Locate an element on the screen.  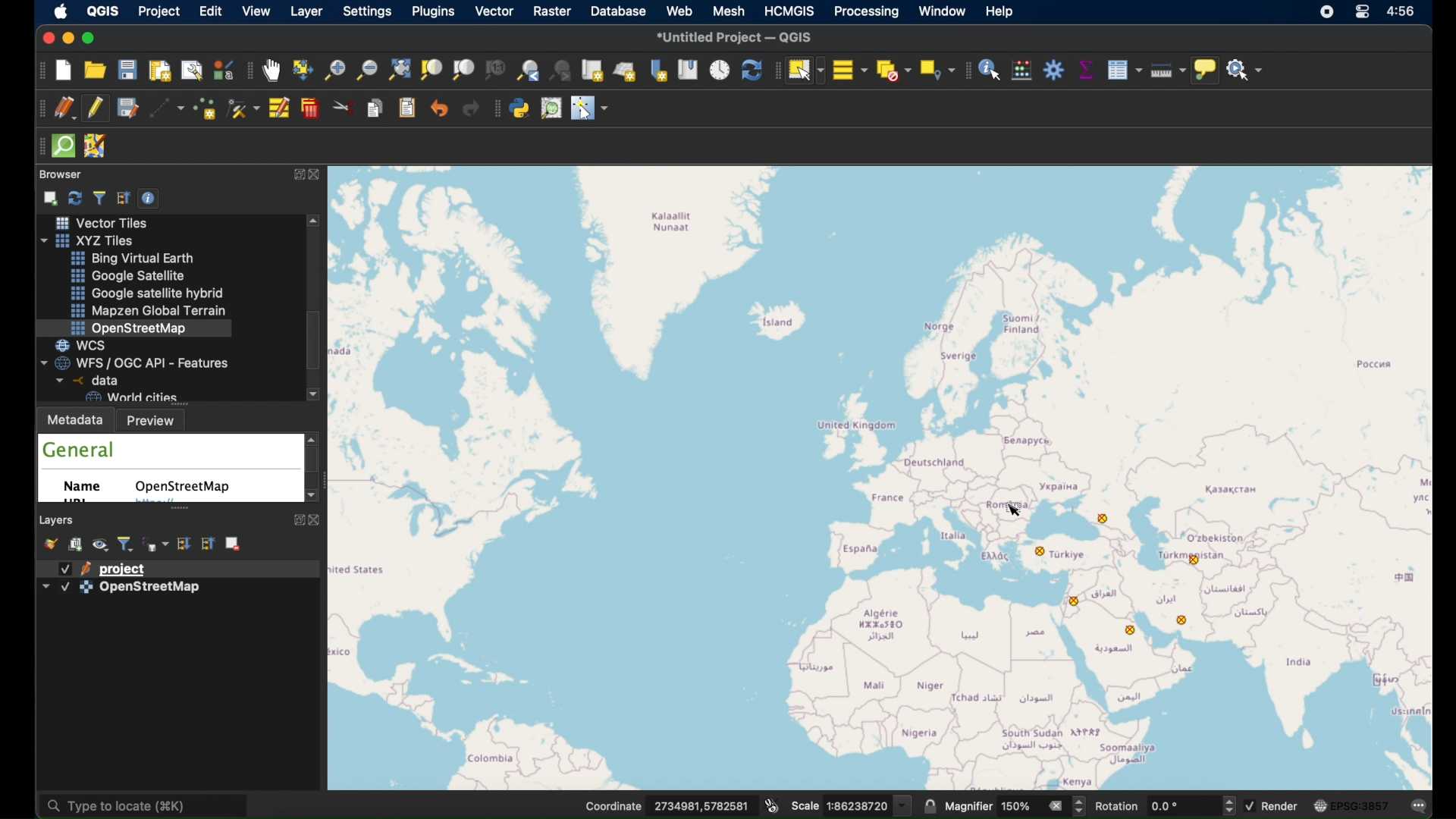
rotation is located at coordinates (1119, 806).